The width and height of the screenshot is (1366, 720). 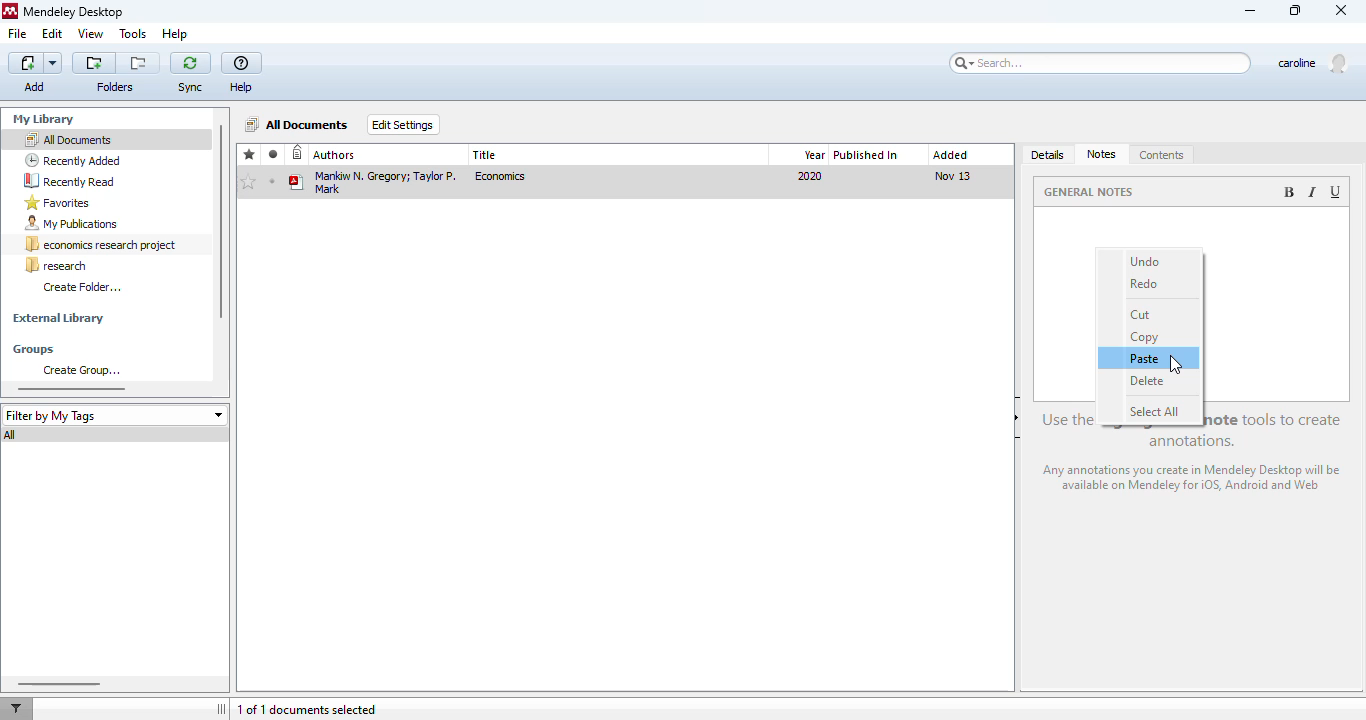 I want to click on help, so click(x=175, y=34).